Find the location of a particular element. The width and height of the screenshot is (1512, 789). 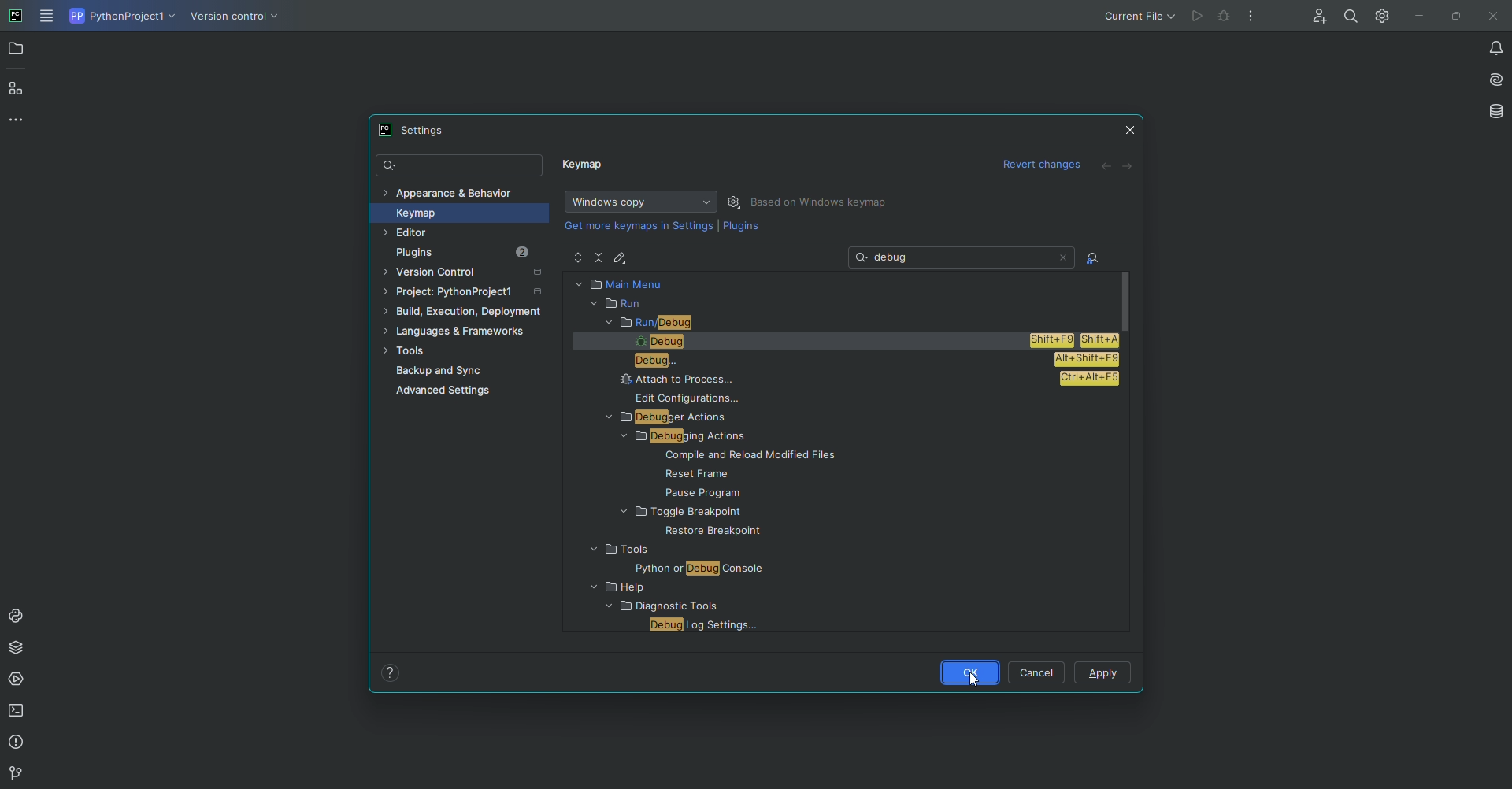

Appearance is located at coordinates (449, 191).